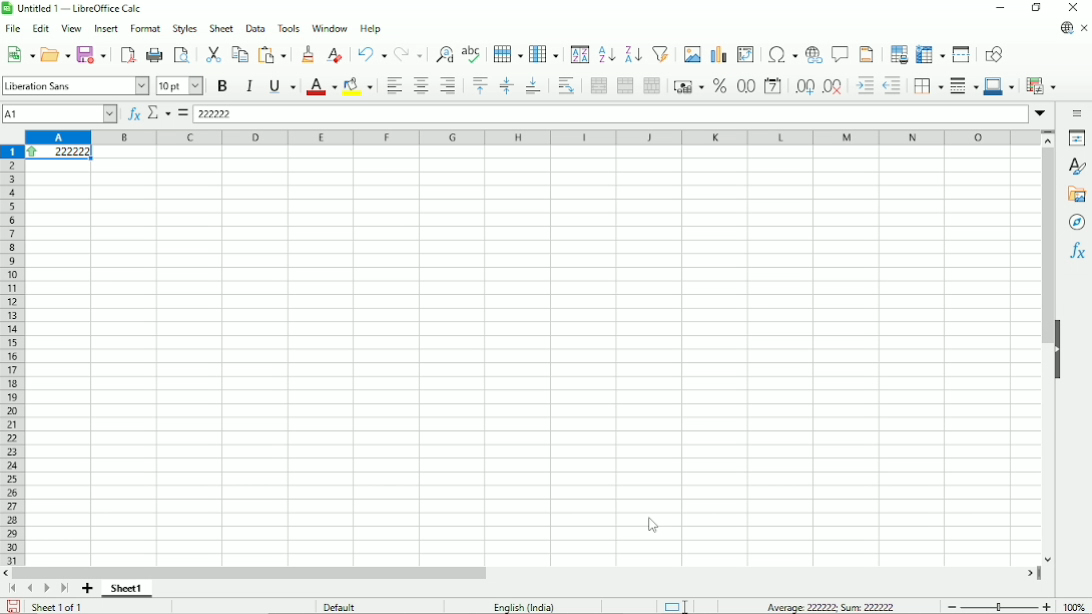 The height and width of the screenshot is (614, 1092). What do you see at coordinates (580, 53) in the screenshot?
I see `Sort` at bounding box center [580, 53].